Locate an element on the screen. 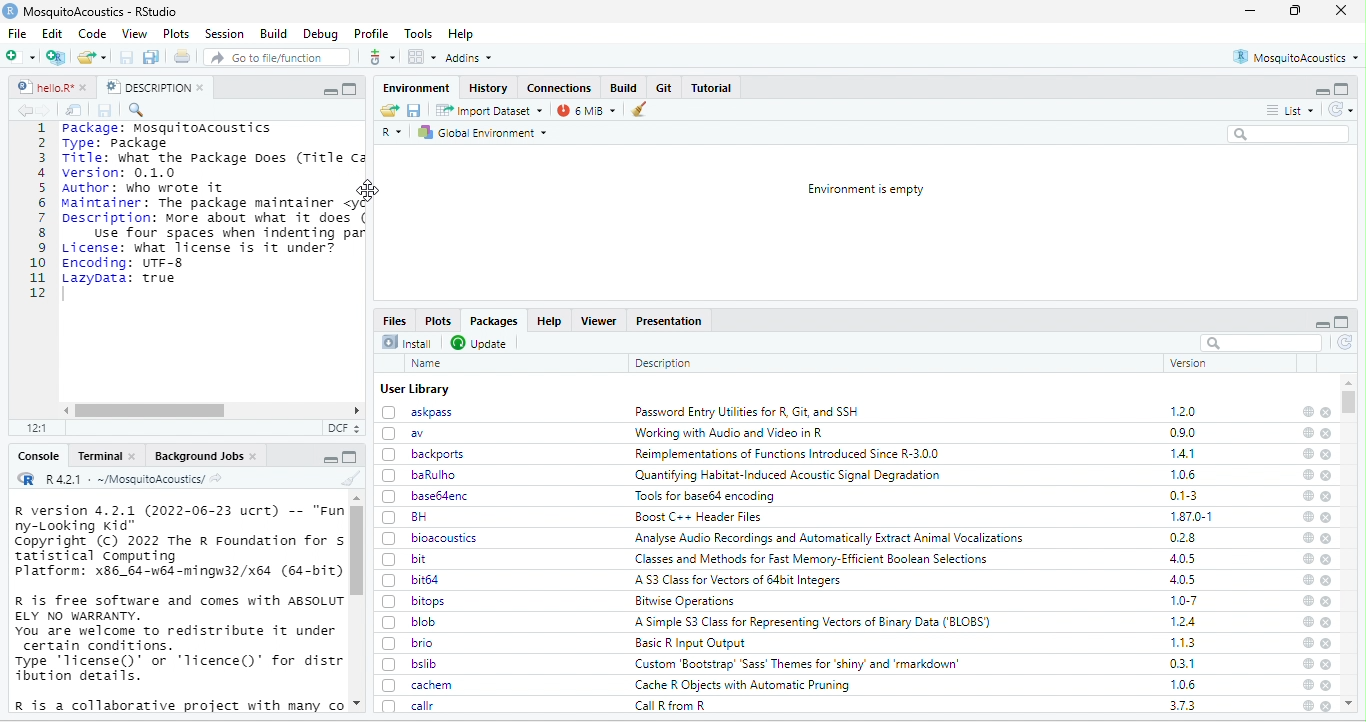  R 4.2.1 : ~/MosquitoAcoustics/ is located at coordinates (120, 480).